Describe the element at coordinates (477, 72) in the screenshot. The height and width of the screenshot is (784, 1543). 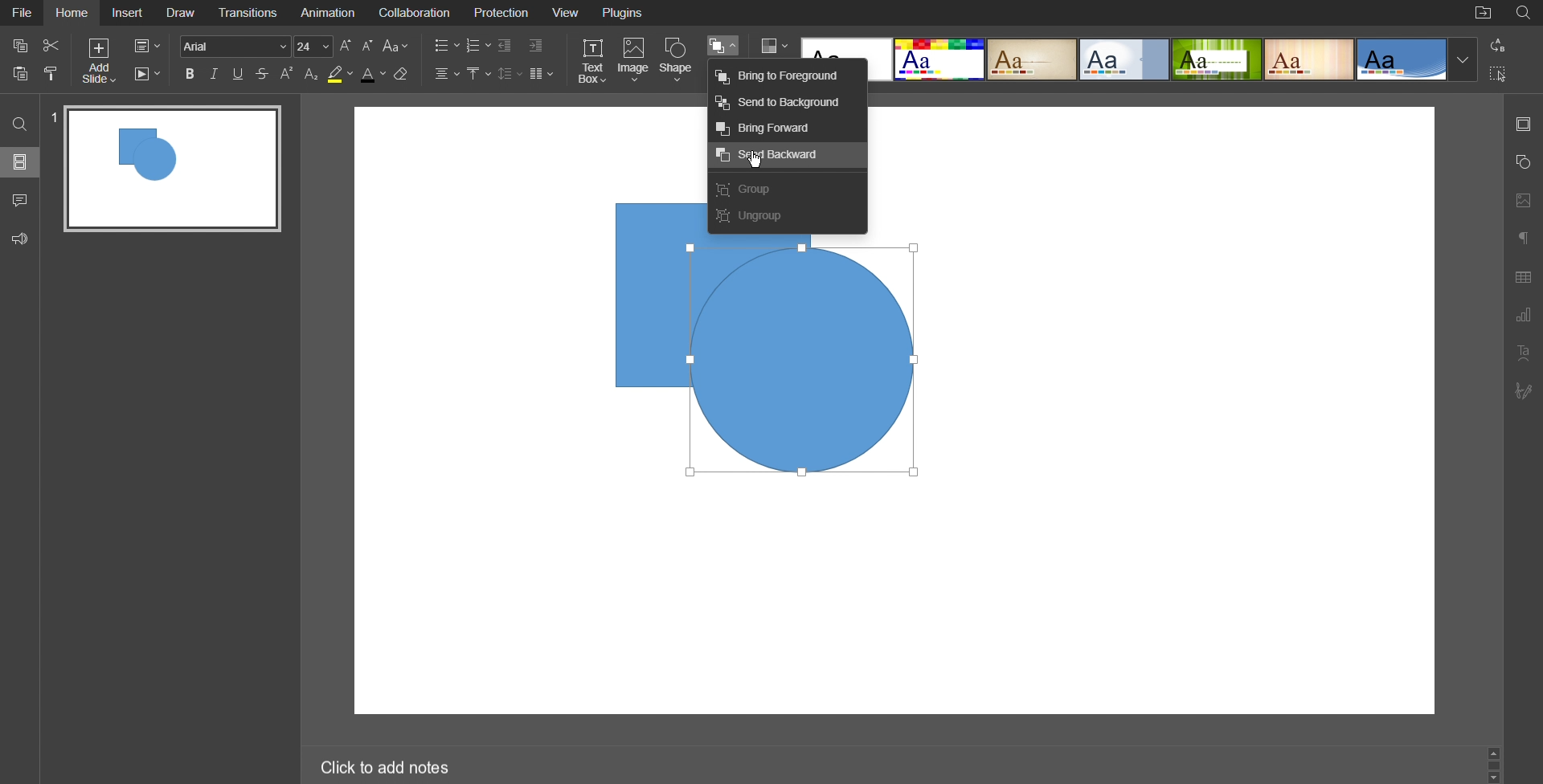
I see `Vertical Align` at that location.